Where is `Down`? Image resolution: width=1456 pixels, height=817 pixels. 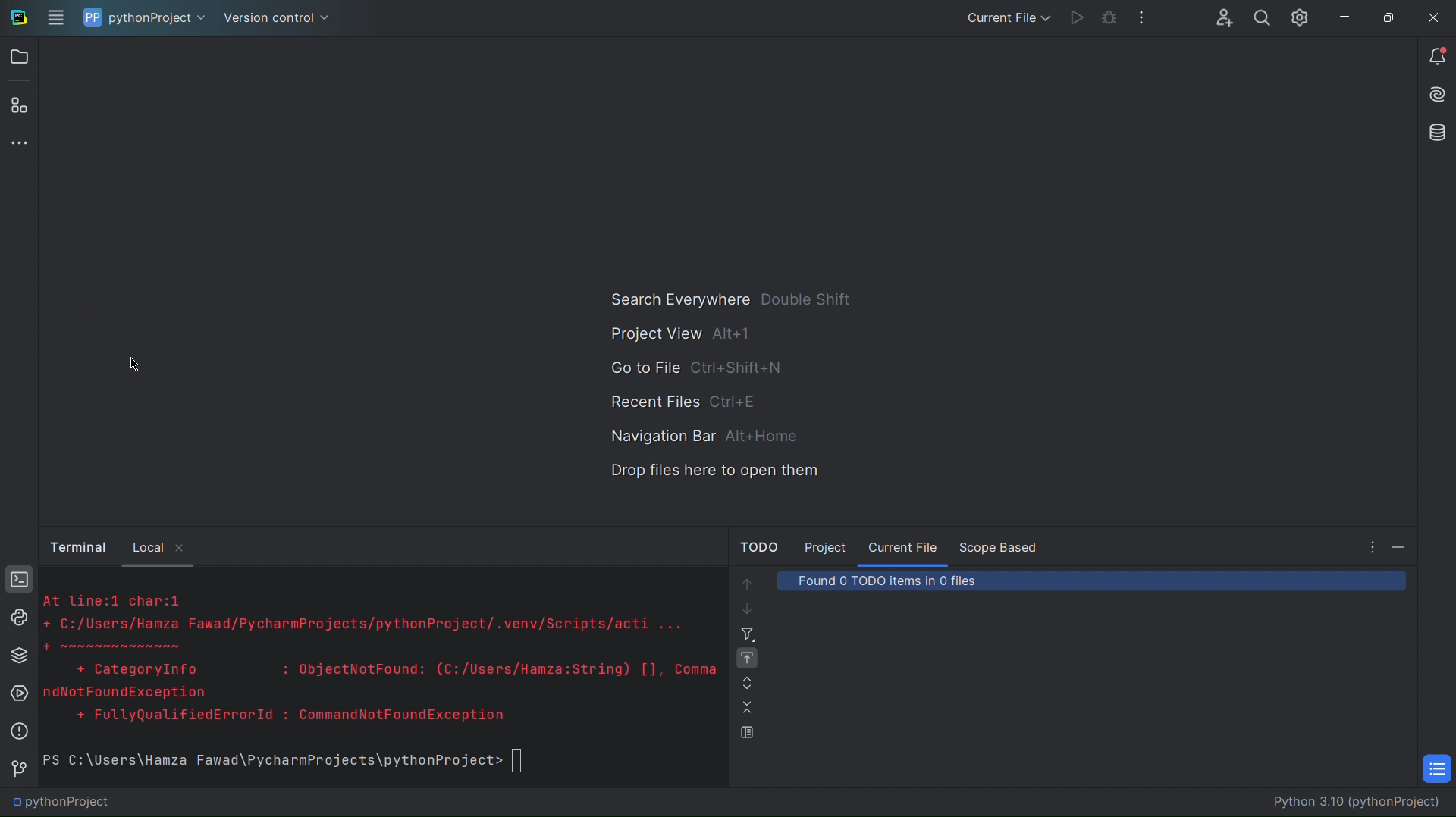
Down is located at coordinates (744, 607).